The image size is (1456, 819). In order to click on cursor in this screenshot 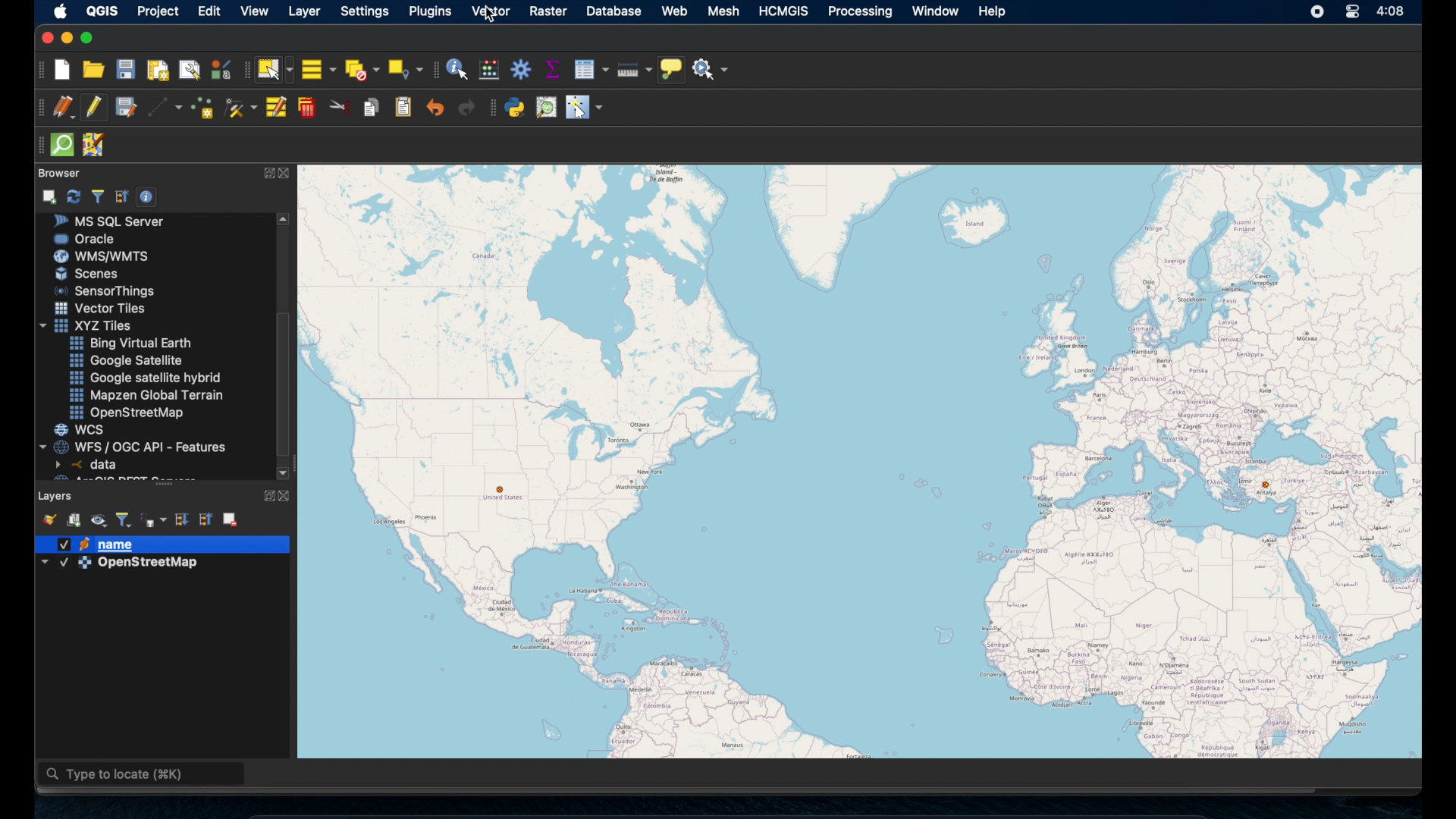, I will do `click(494, 14)`.